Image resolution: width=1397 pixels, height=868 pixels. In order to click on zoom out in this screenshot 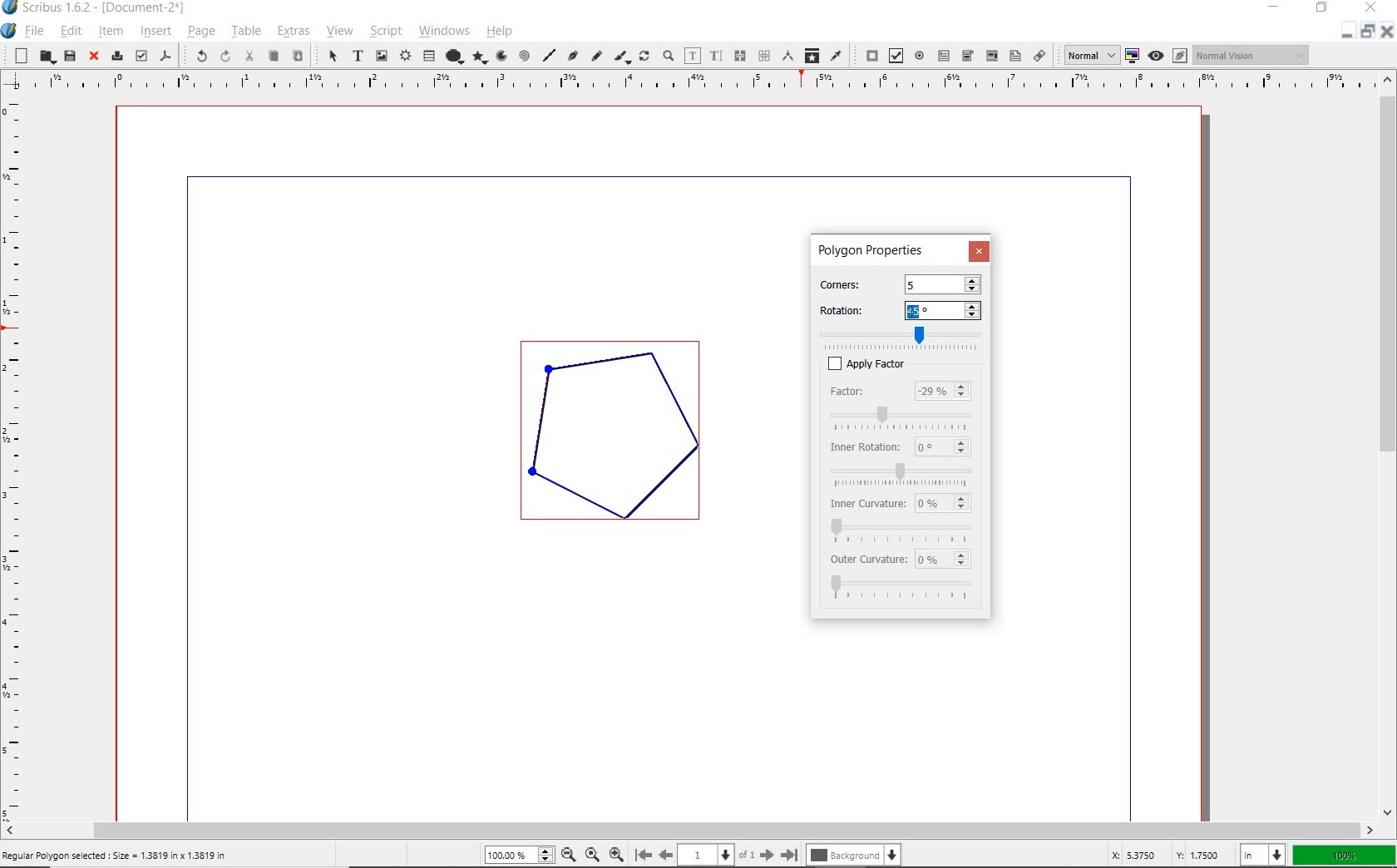, I will do `click(569, 855)`.